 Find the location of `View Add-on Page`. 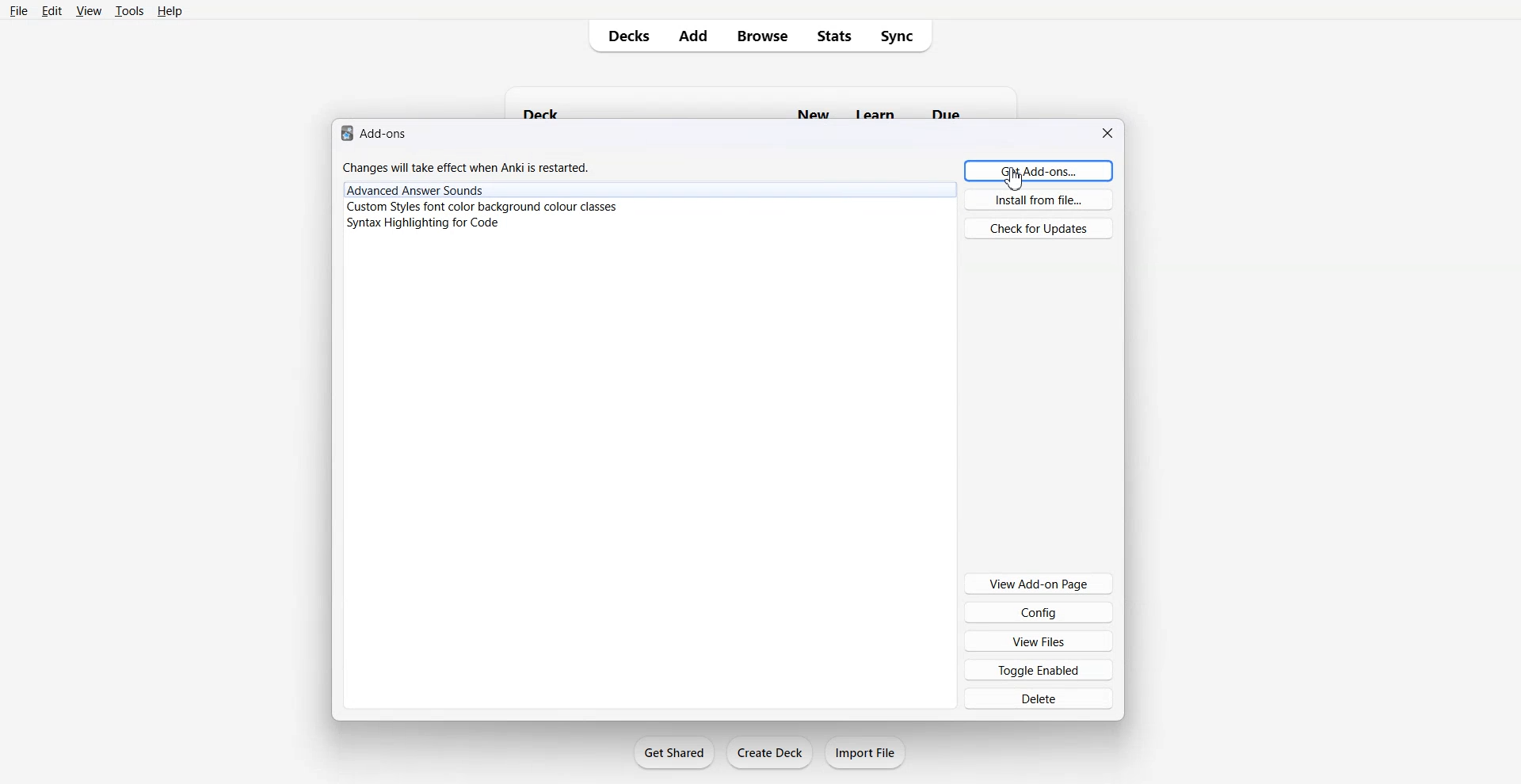

View Add-on Page is located at coordinates (1038, 583).